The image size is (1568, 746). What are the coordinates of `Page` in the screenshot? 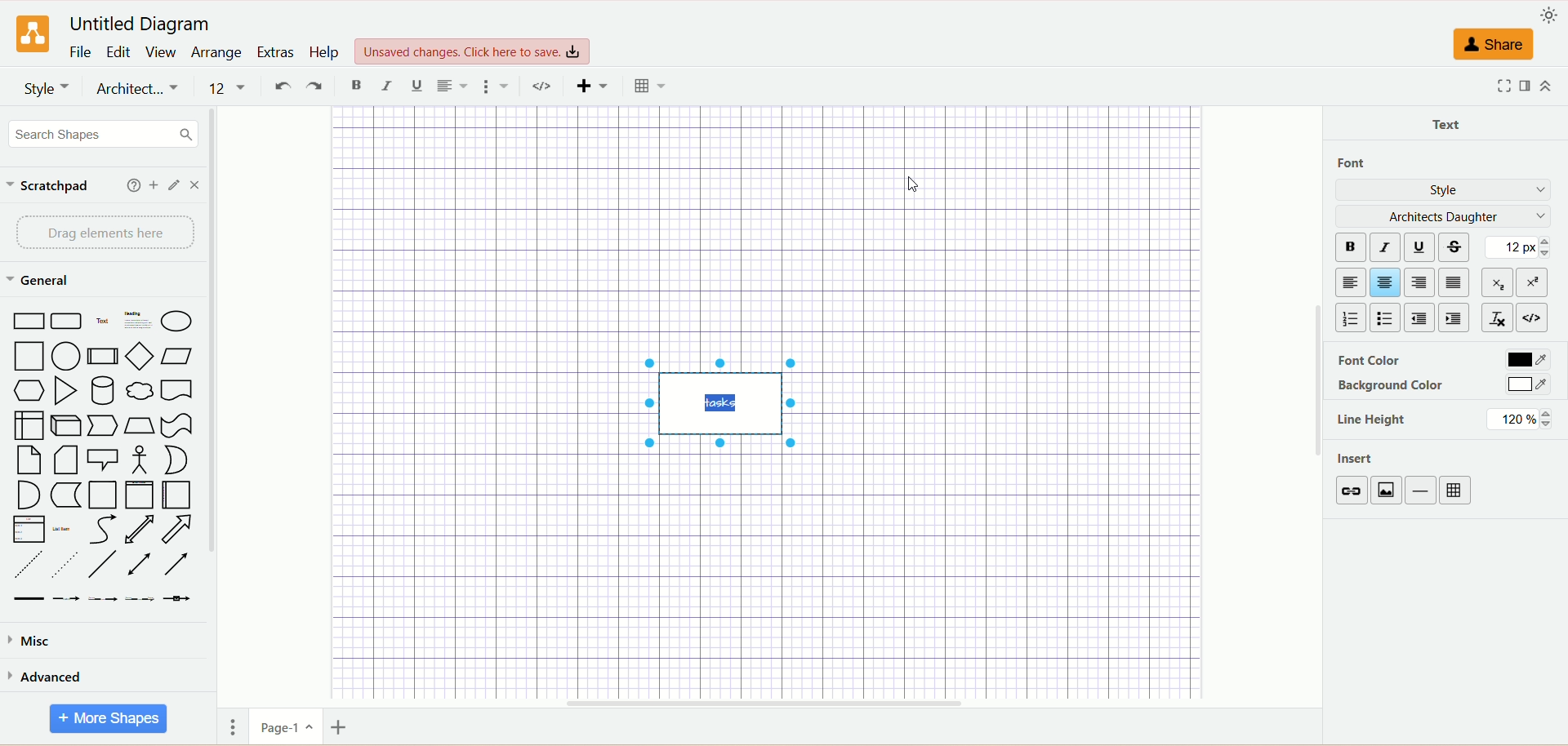 It's located at (102, 495).